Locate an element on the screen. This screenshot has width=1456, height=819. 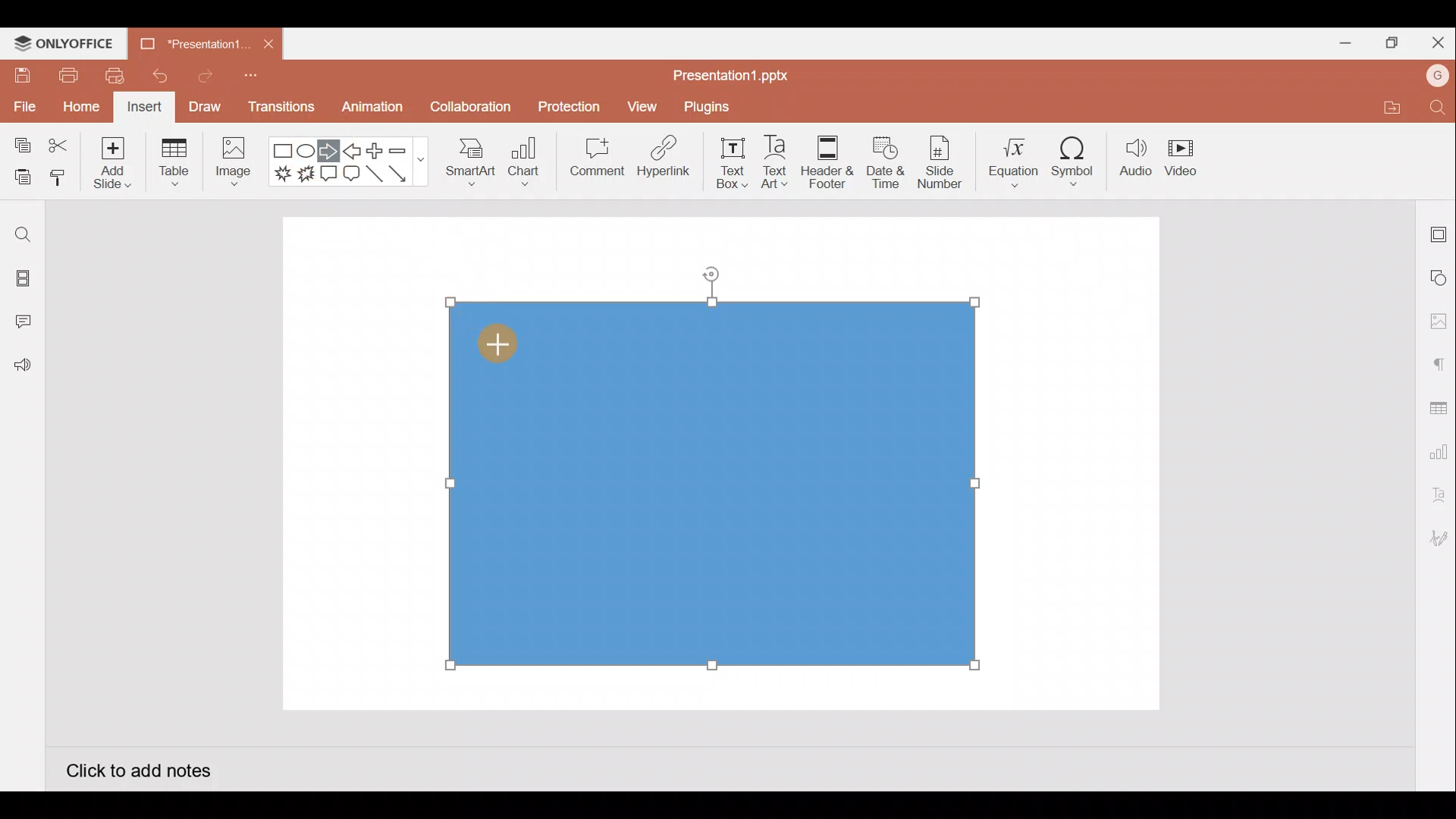
Header & footer is located at coordinates (828, 158).